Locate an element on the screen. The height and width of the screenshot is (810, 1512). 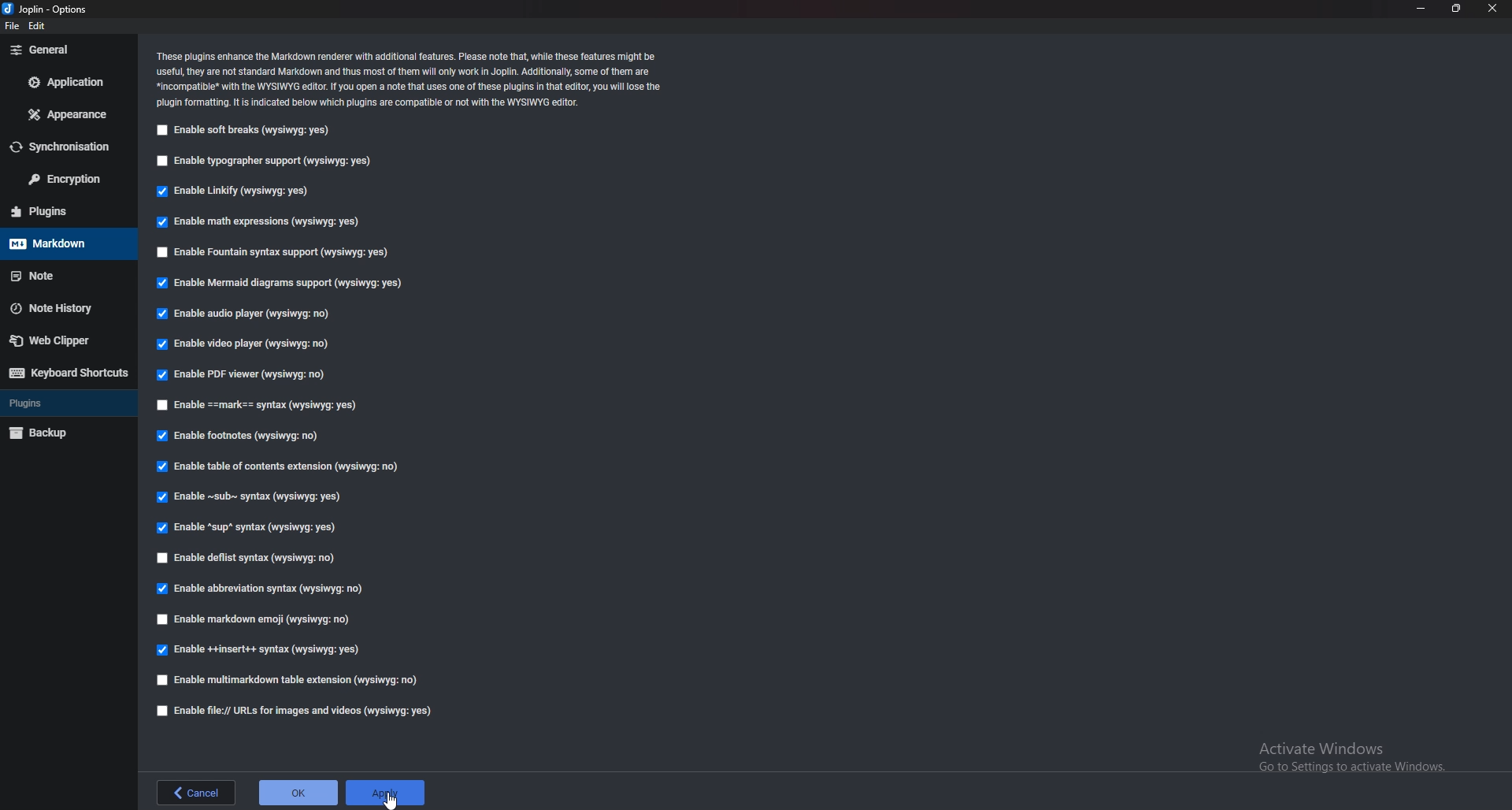
Enable insert syntax is located at coordinates (266, 649).